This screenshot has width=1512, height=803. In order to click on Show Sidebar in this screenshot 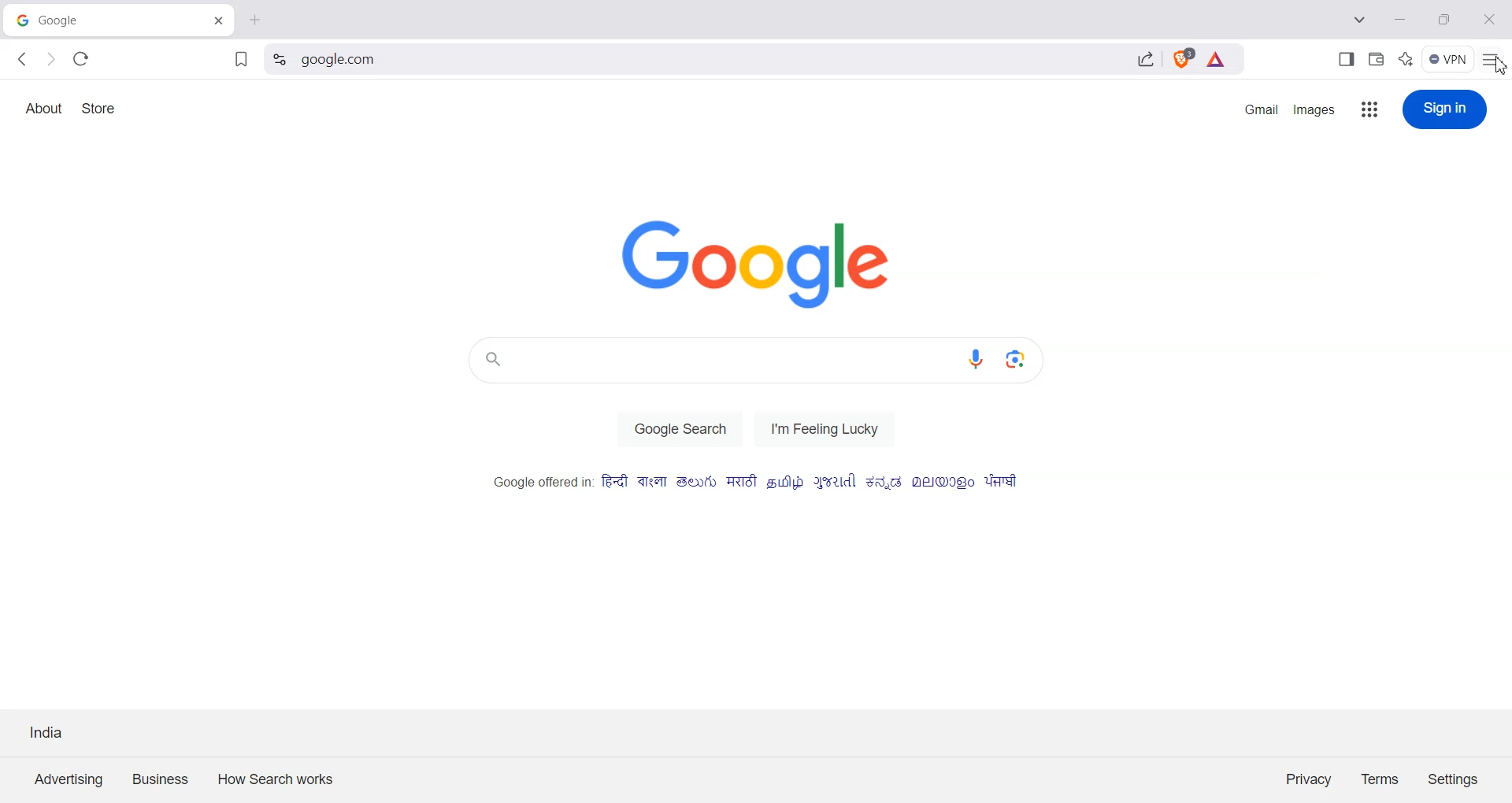, I will do `click(1347, 58)`.